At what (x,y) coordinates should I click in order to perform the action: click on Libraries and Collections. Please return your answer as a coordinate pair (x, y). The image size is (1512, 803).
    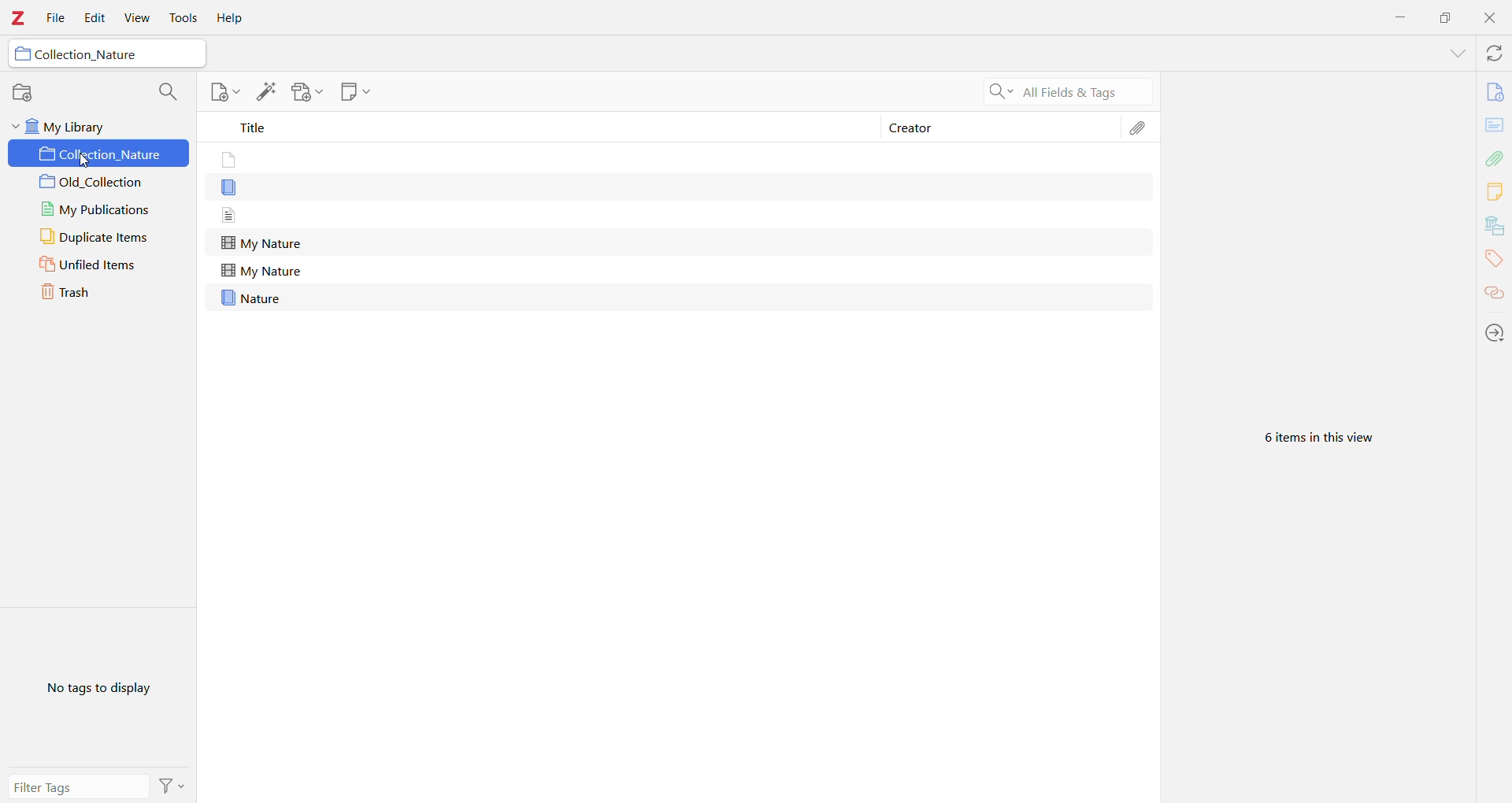
    Looking at the image, I should click on (1494, 227).